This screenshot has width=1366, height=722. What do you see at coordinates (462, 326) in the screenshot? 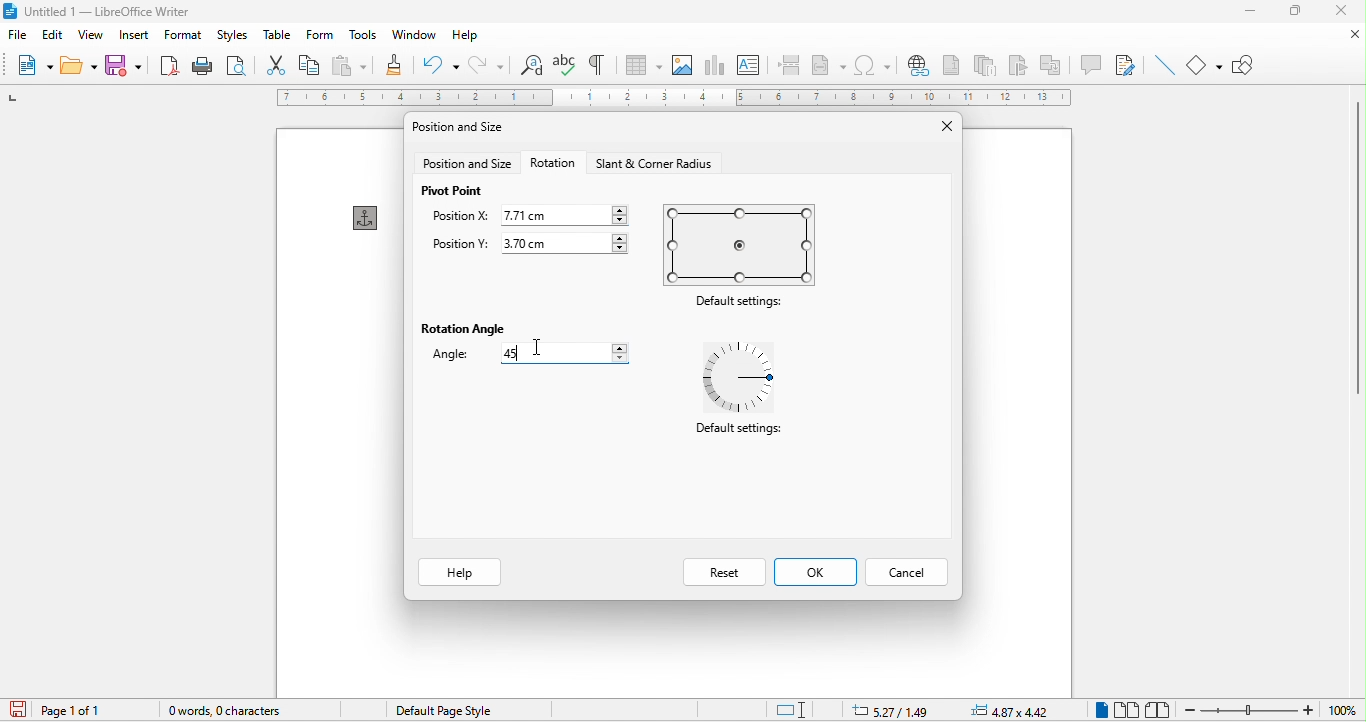
I see `rotation angle` at bounding box center [462, 326].